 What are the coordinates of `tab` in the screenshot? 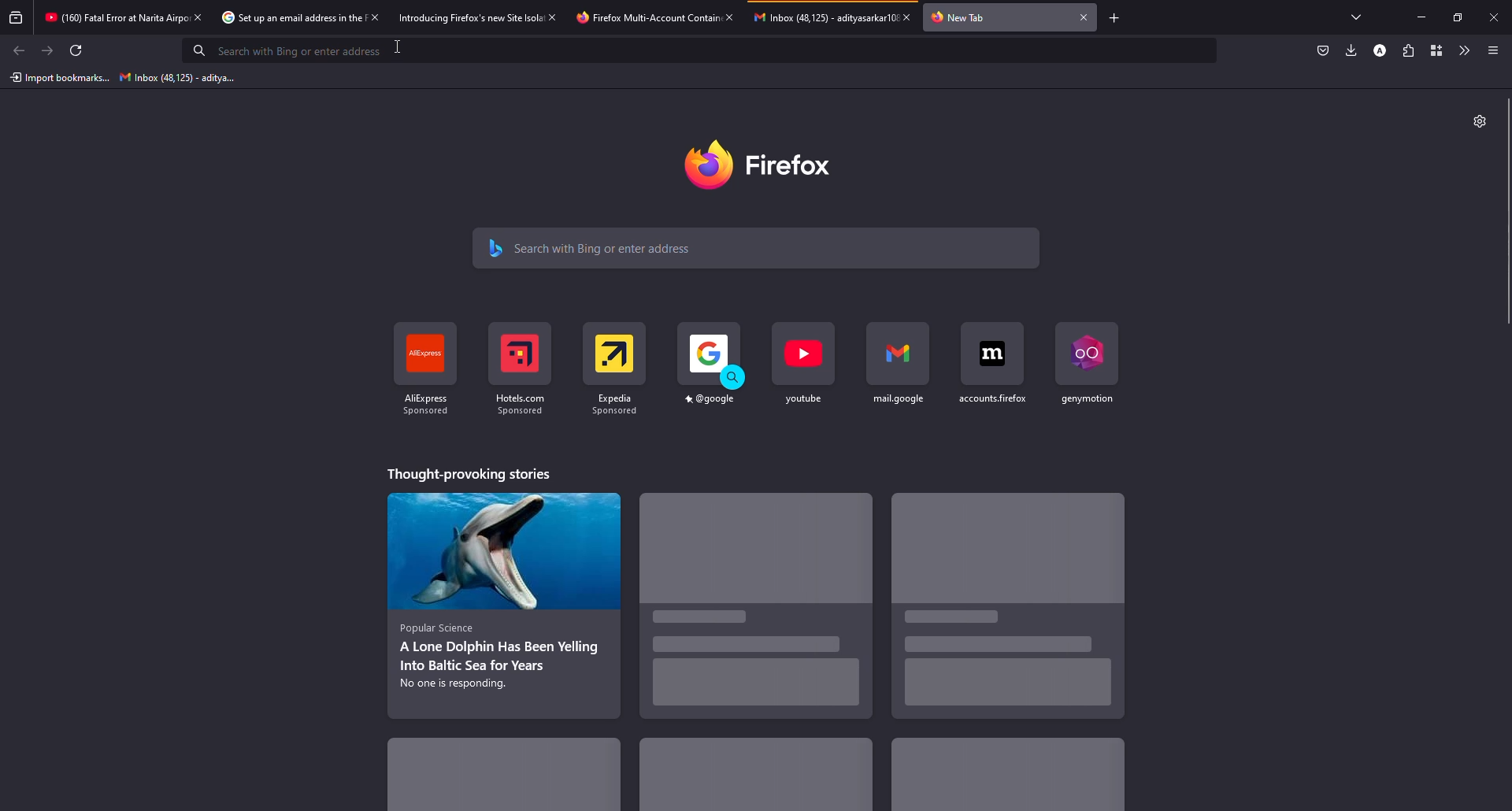 It's located at (634, 19).